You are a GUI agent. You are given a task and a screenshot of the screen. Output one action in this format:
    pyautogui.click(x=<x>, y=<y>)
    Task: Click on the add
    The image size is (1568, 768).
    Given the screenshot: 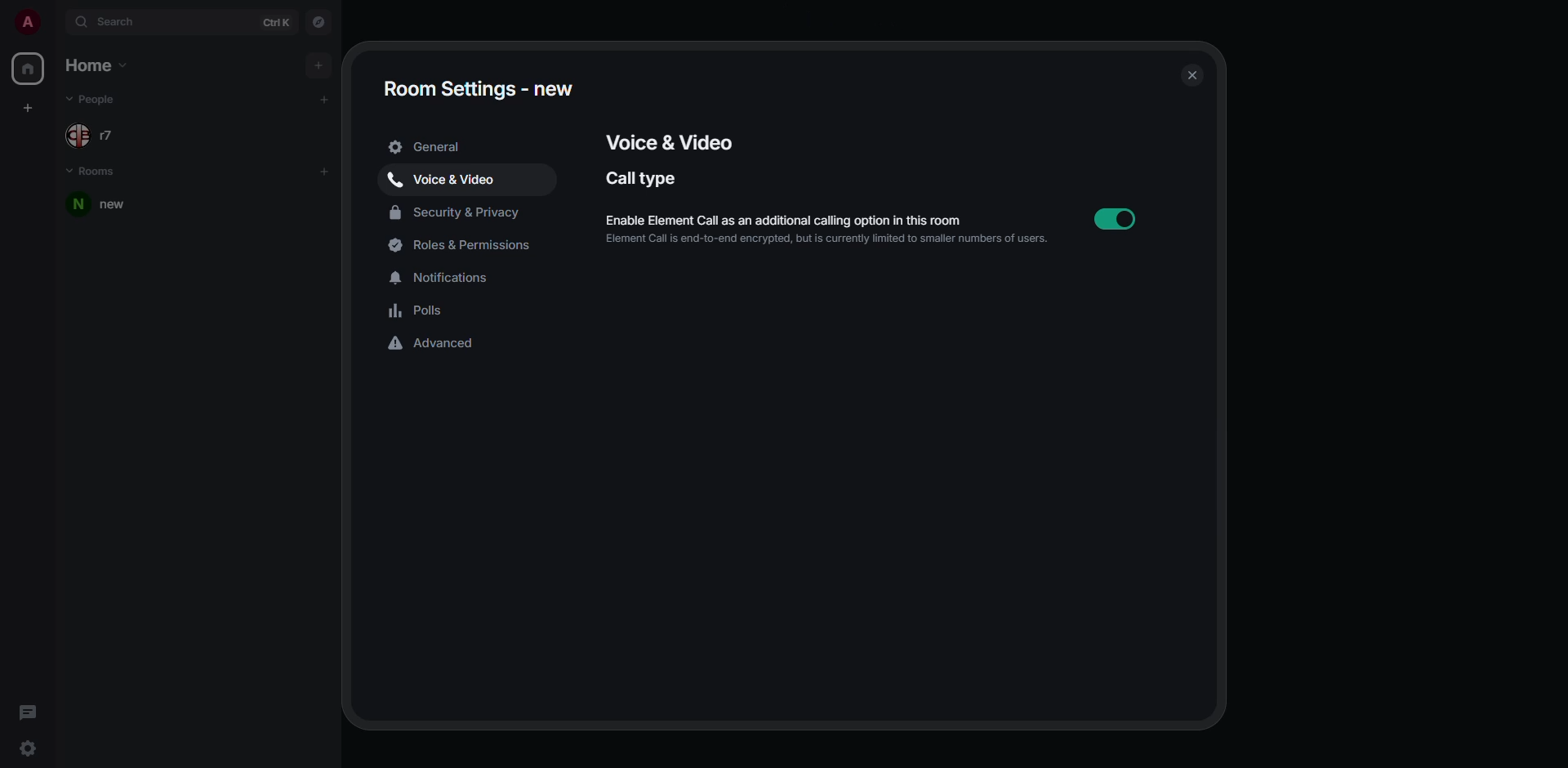 What is the action you would take?
    pyautogui.click(x=318, y=63)
    